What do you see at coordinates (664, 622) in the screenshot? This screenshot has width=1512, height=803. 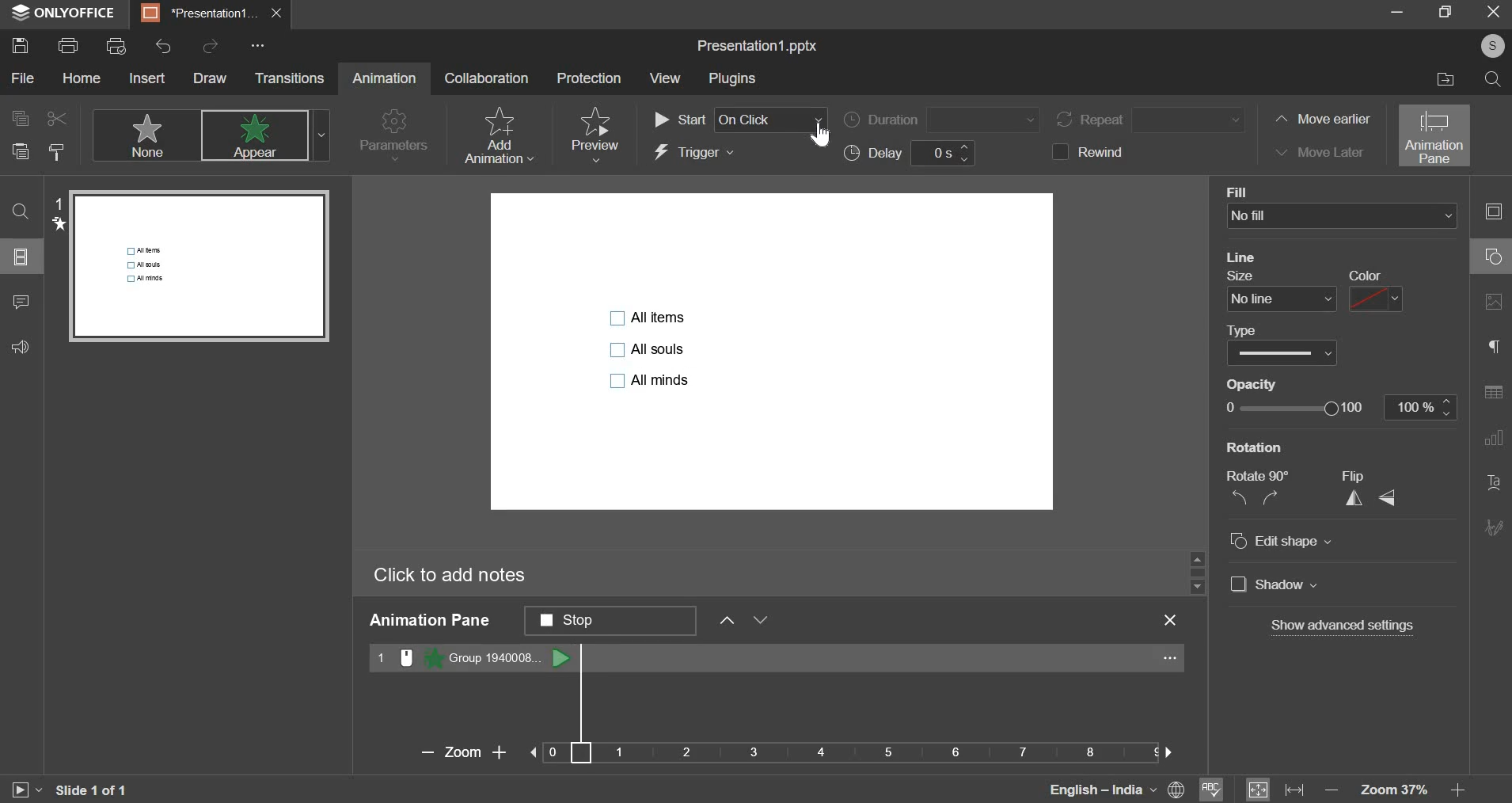 I see `animation pane` at bounding box center [664, 622].